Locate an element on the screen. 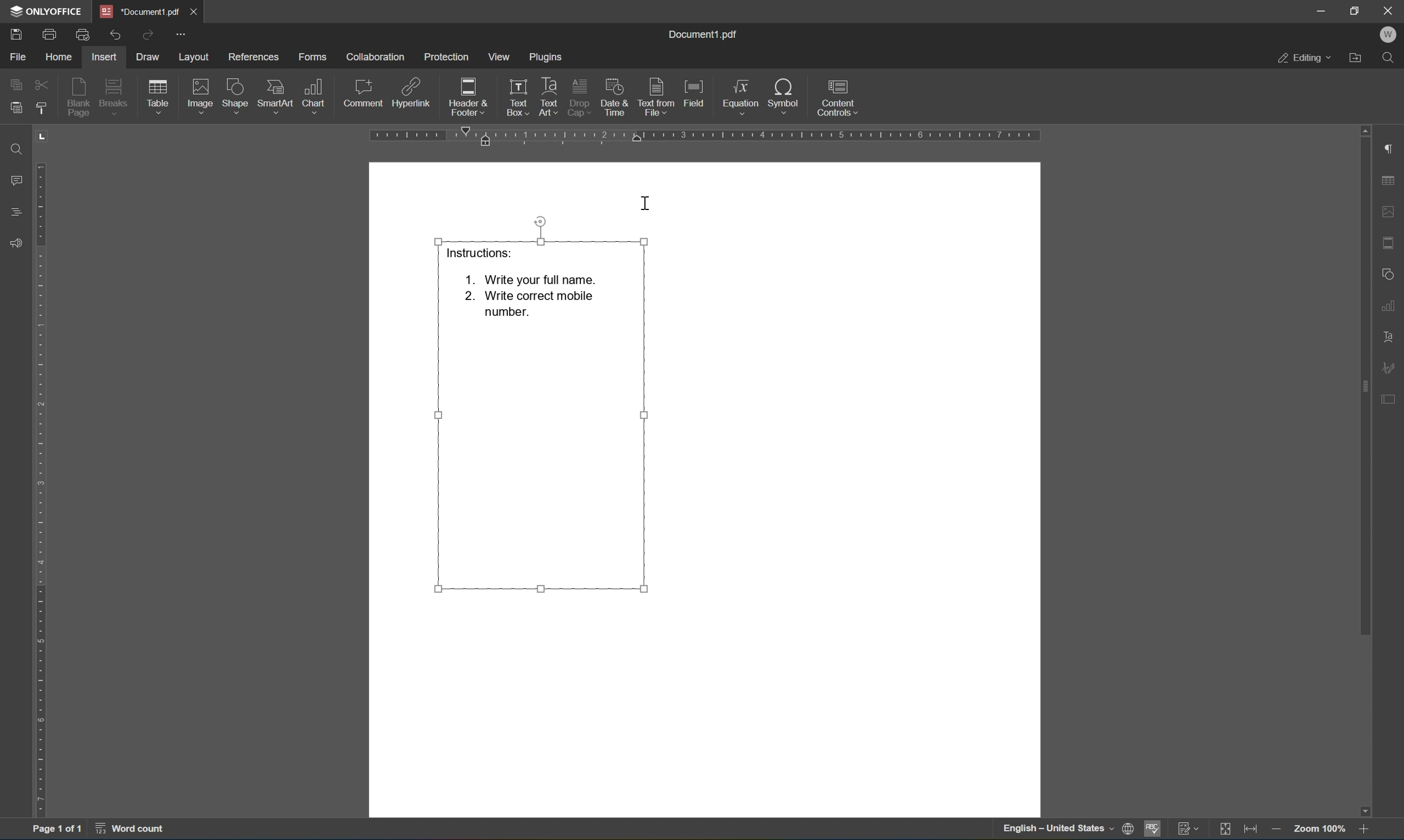 The image size is (1404, 840). Editing is located at coordinates (1304, 59).